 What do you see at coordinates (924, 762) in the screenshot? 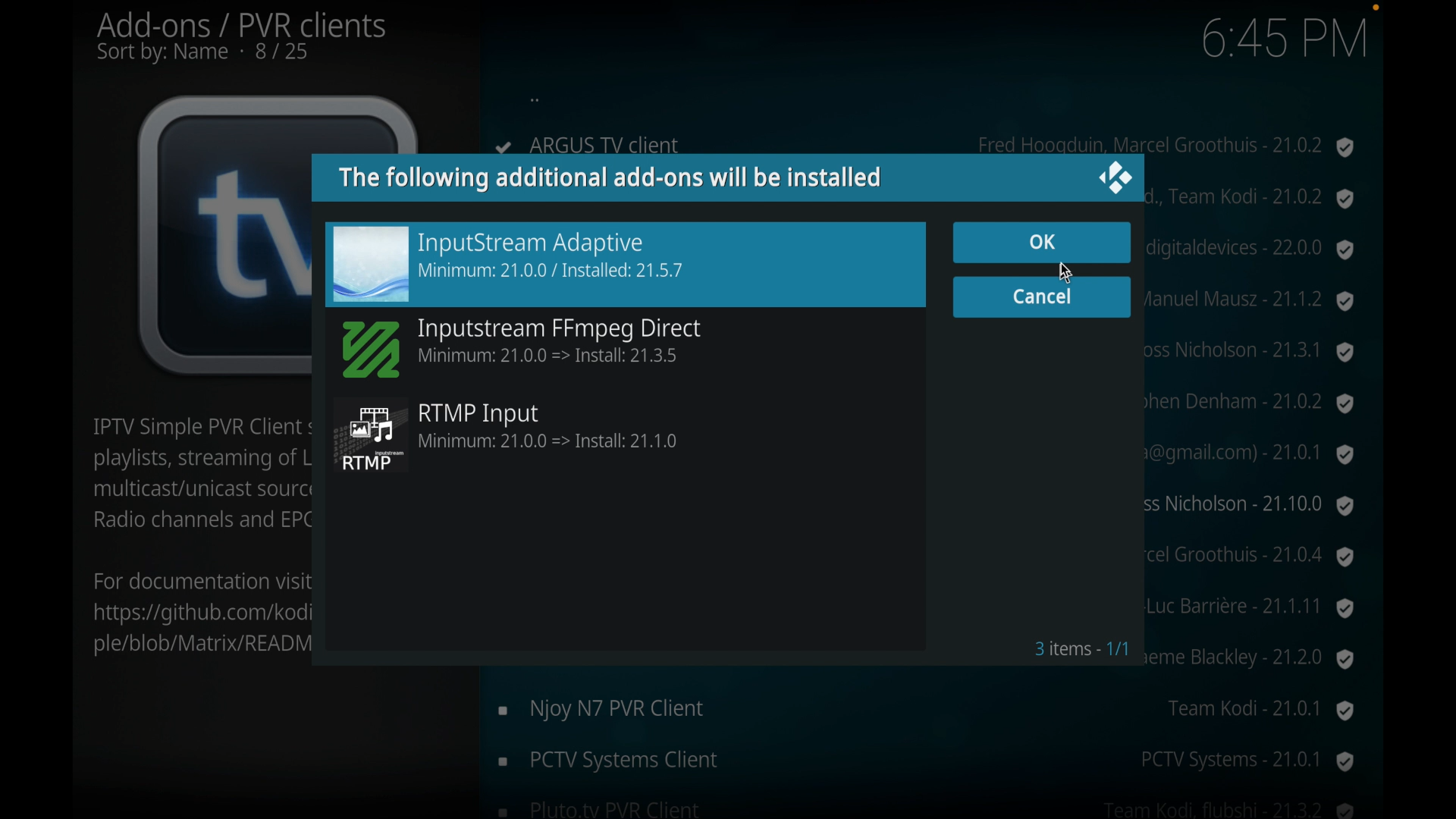
I see `pctv systems client` at bounding box center [924, 762].